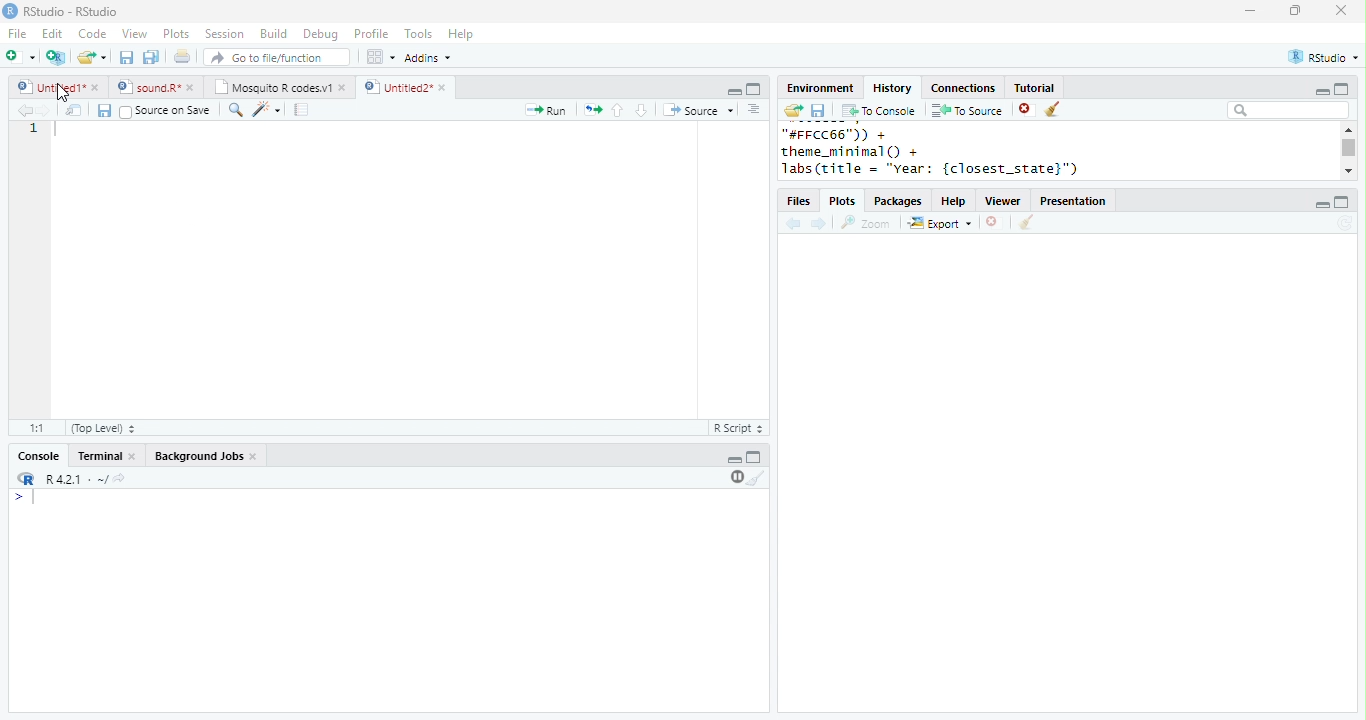 The image size is (1366, 720). I want to click on logo, so click(10, 11).